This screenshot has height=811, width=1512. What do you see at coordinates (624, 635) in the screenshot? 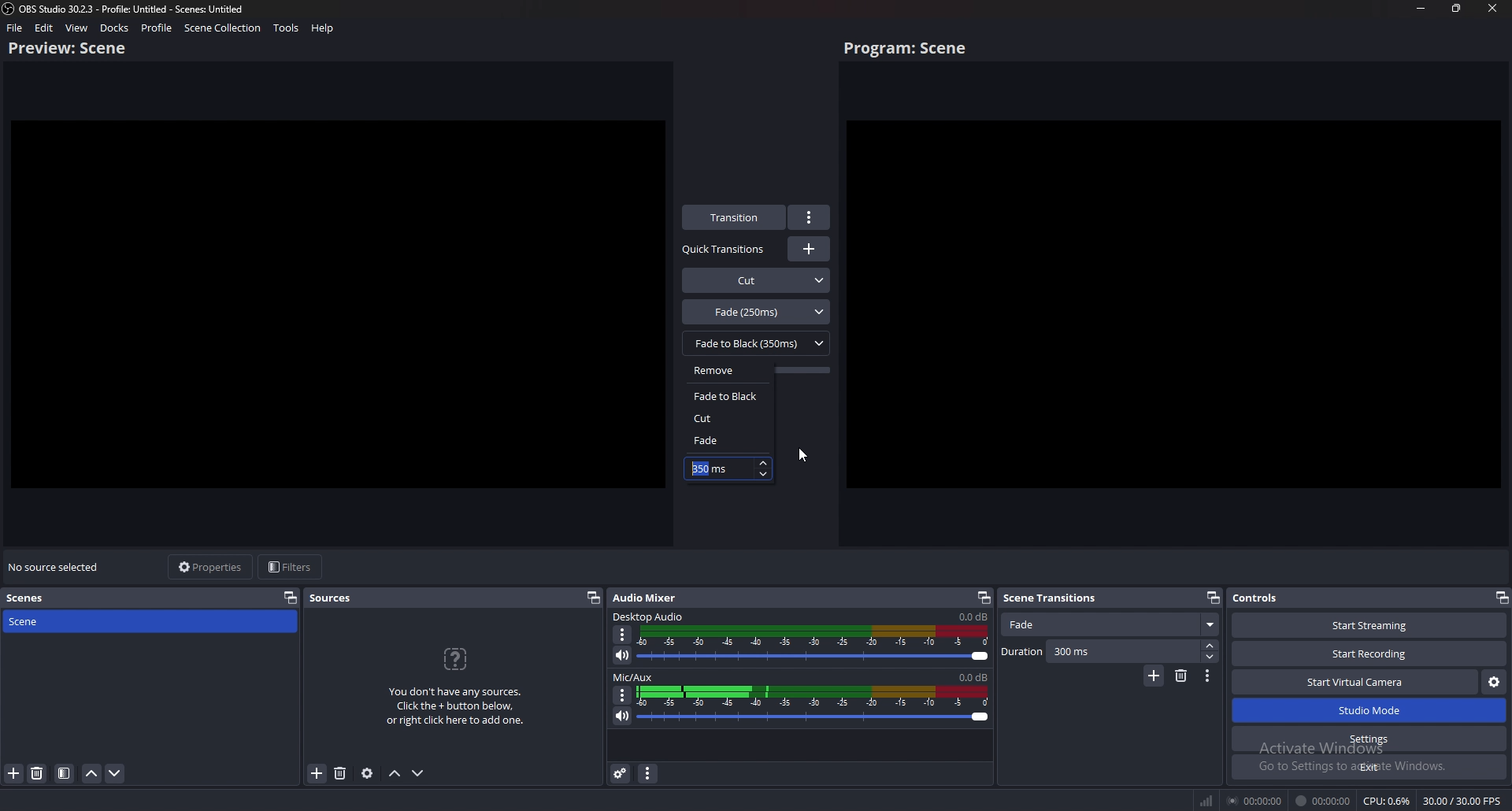
I see `Options` at bounding box center [624, 635].